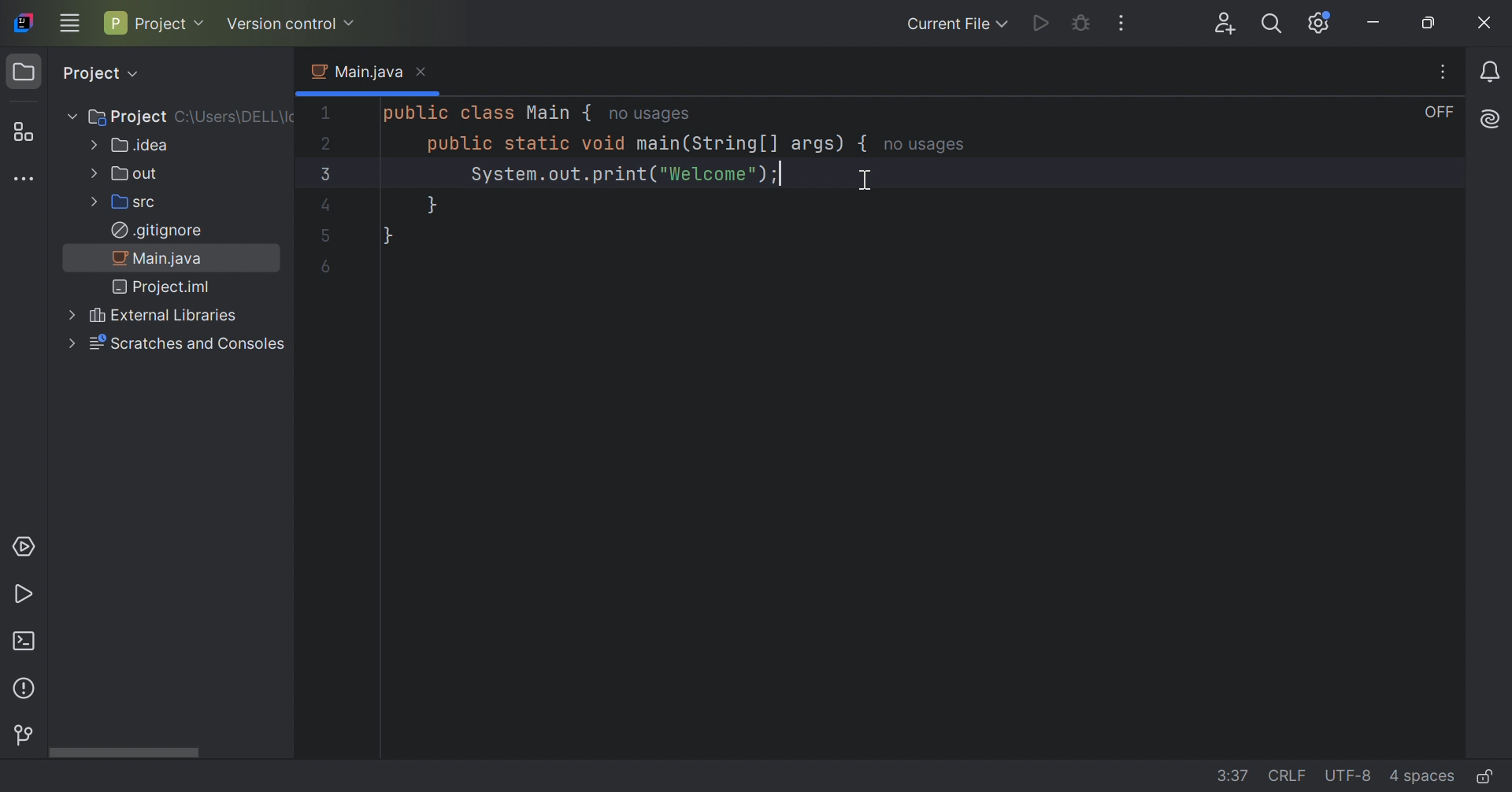 The height and width of the screenshot is (792, 1512). I want to click on {, so click(865, 144).